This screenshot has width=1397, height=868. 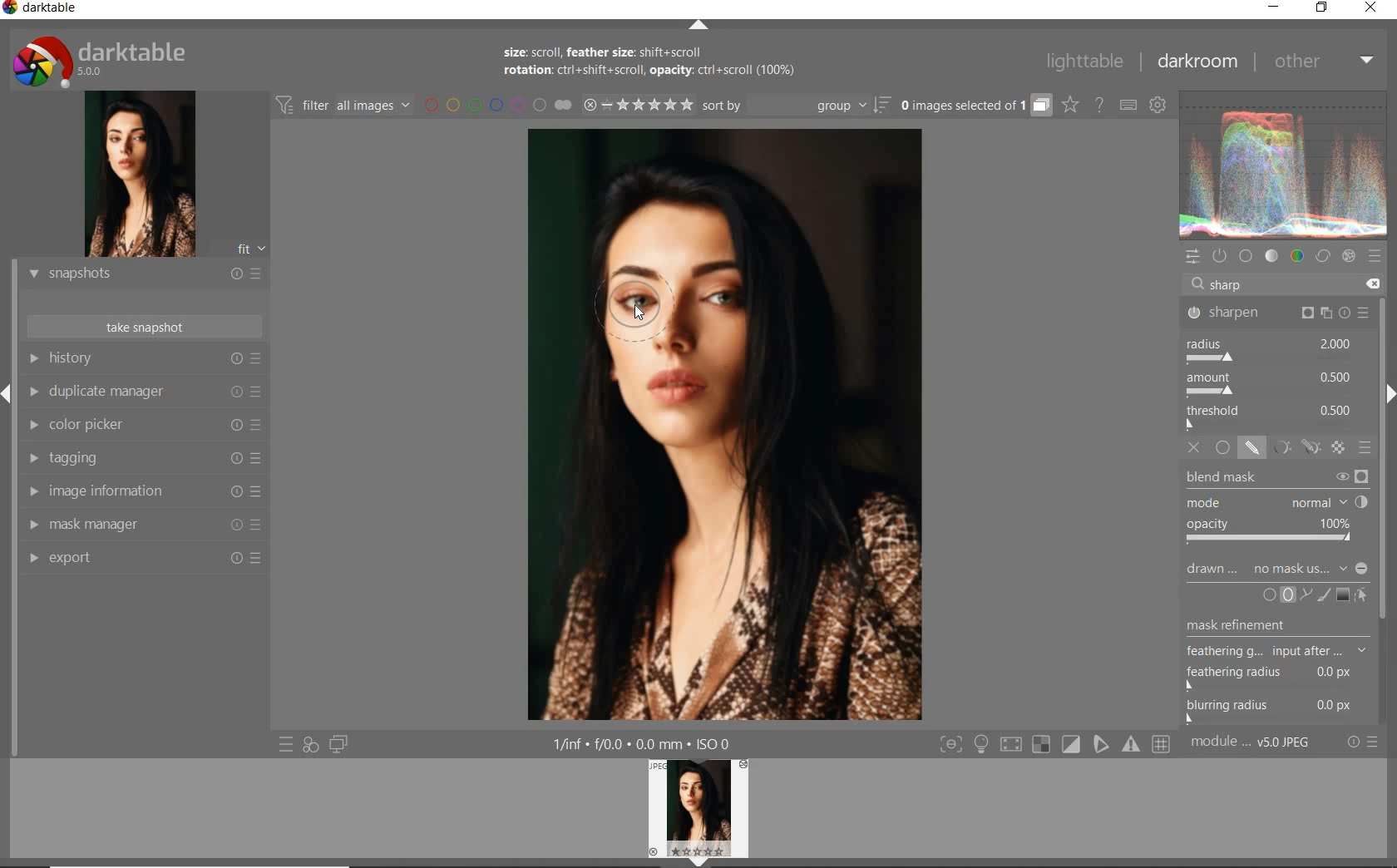 I want to click on Darktable 5.0.0, so click(x=99, y=61).